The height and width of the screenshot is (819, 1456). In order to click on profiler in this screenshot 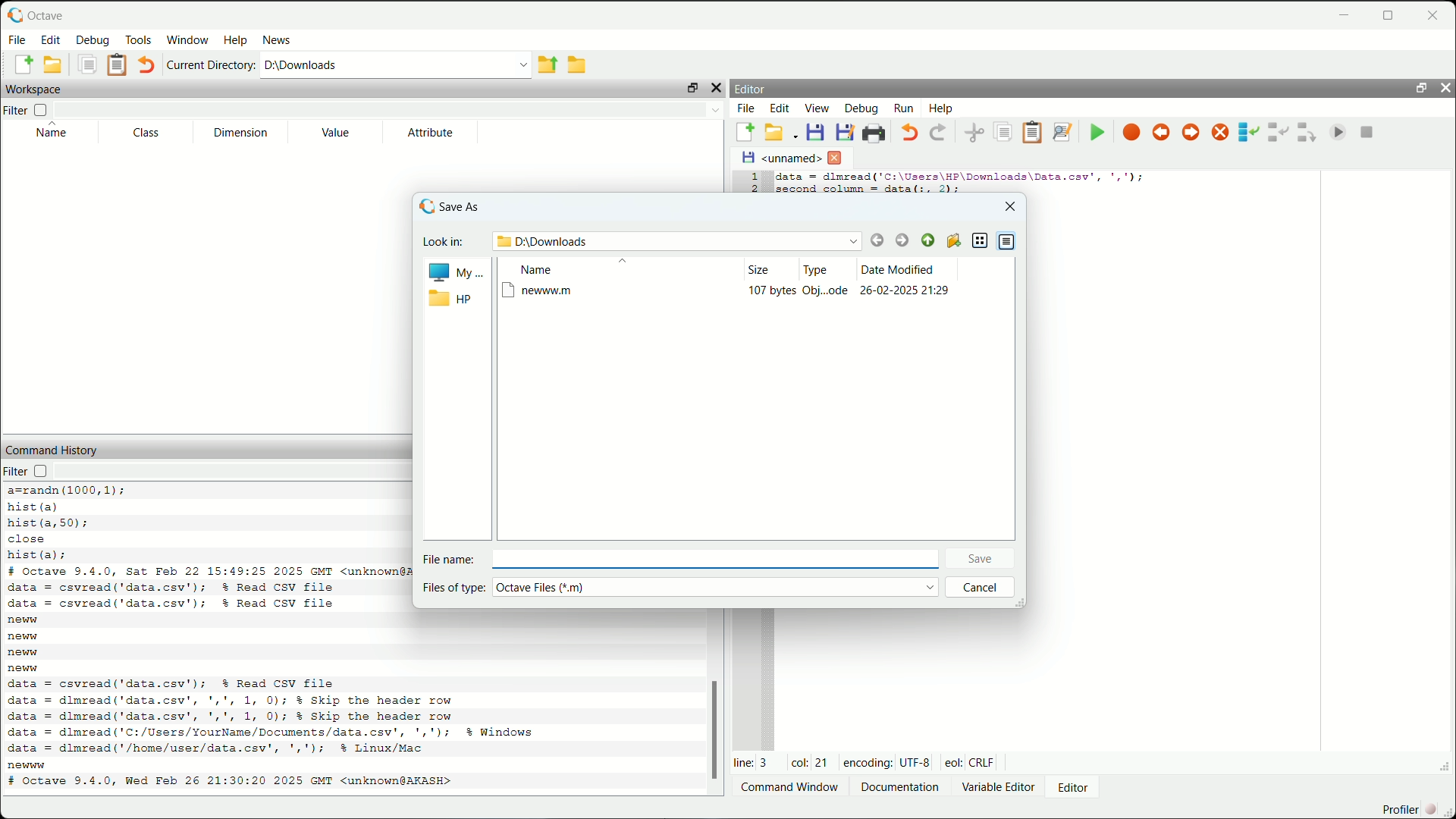, I will do `click(1414, 808)`.